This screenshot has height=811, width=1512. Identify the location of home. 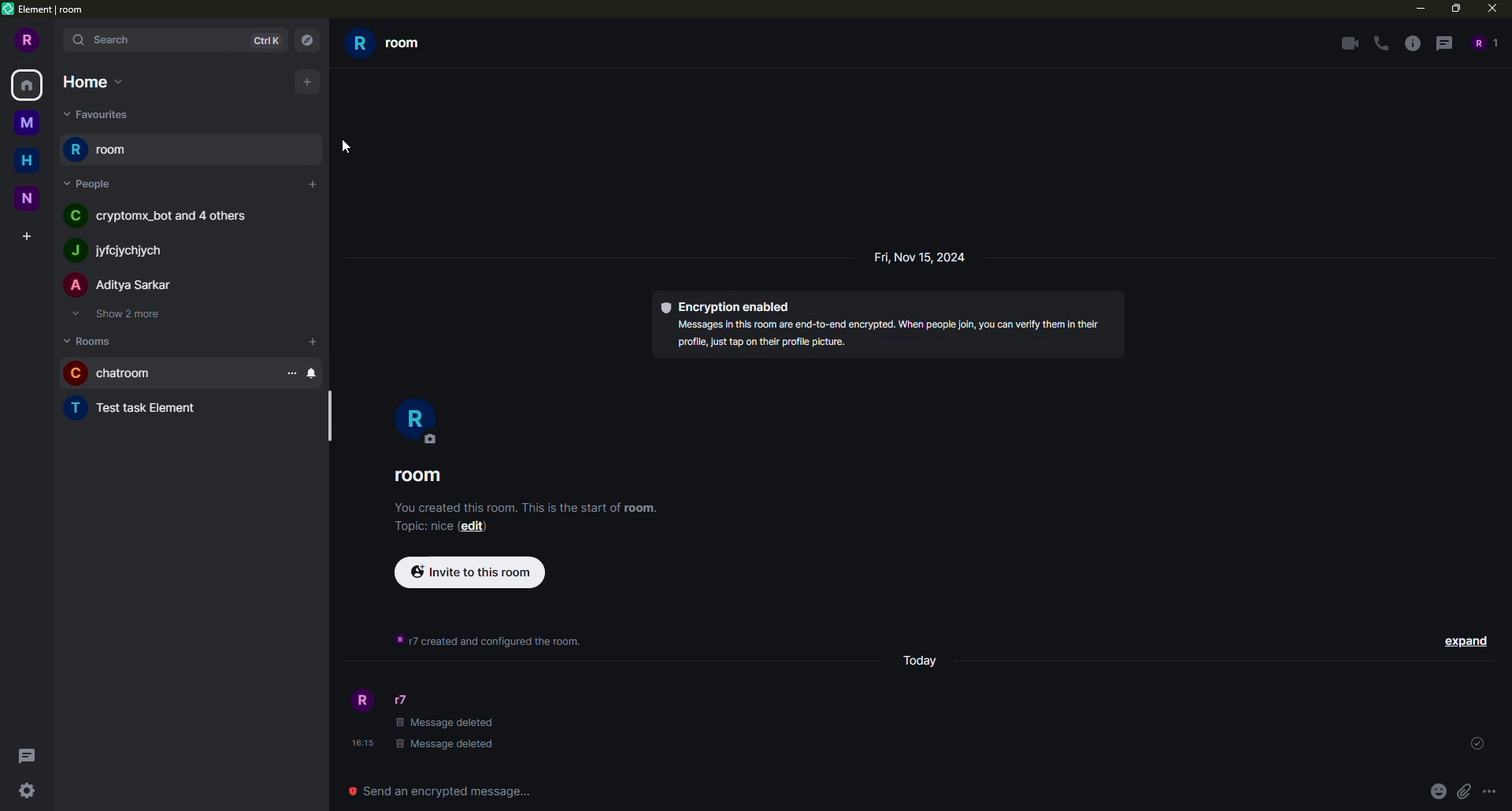
(30, 86).